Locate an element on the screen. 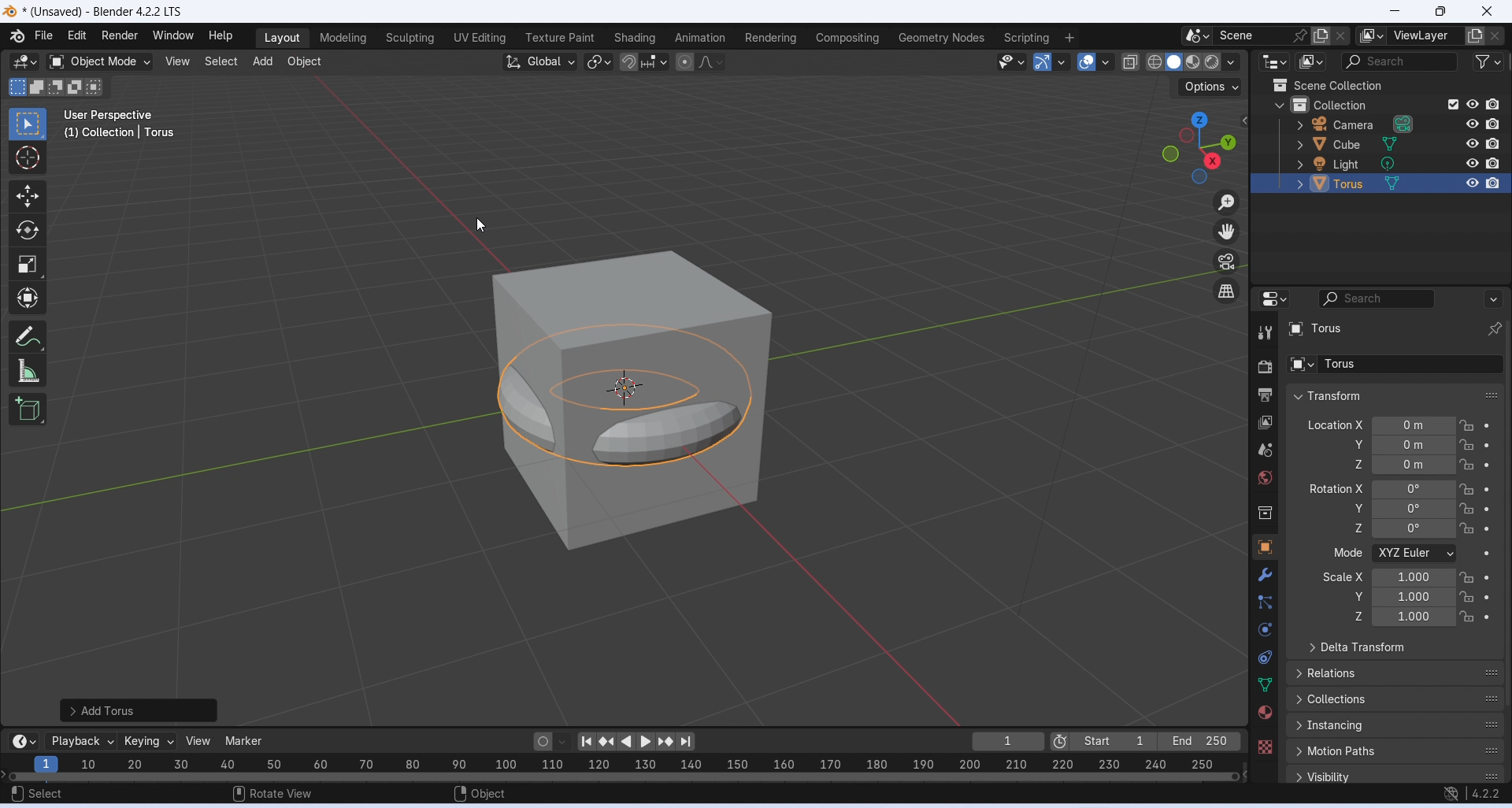 The image size is (1512, 808). Location Y is located at coordinates (1355, 445).